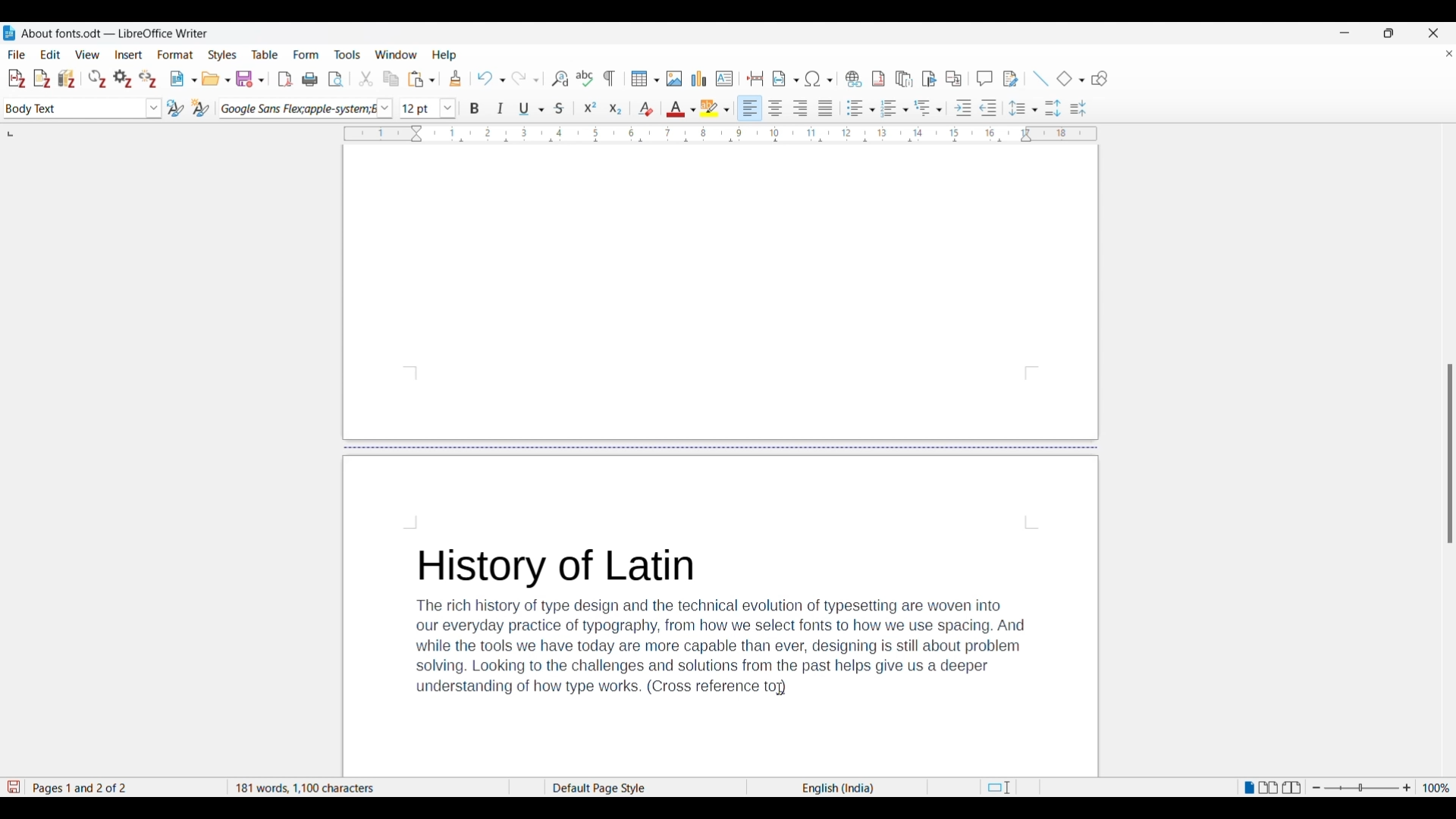 This screenshot has height=819, width=1456. Describe the element at coordinates (989, 108) in the screenshot. I see `Decrease indentation` at that location.